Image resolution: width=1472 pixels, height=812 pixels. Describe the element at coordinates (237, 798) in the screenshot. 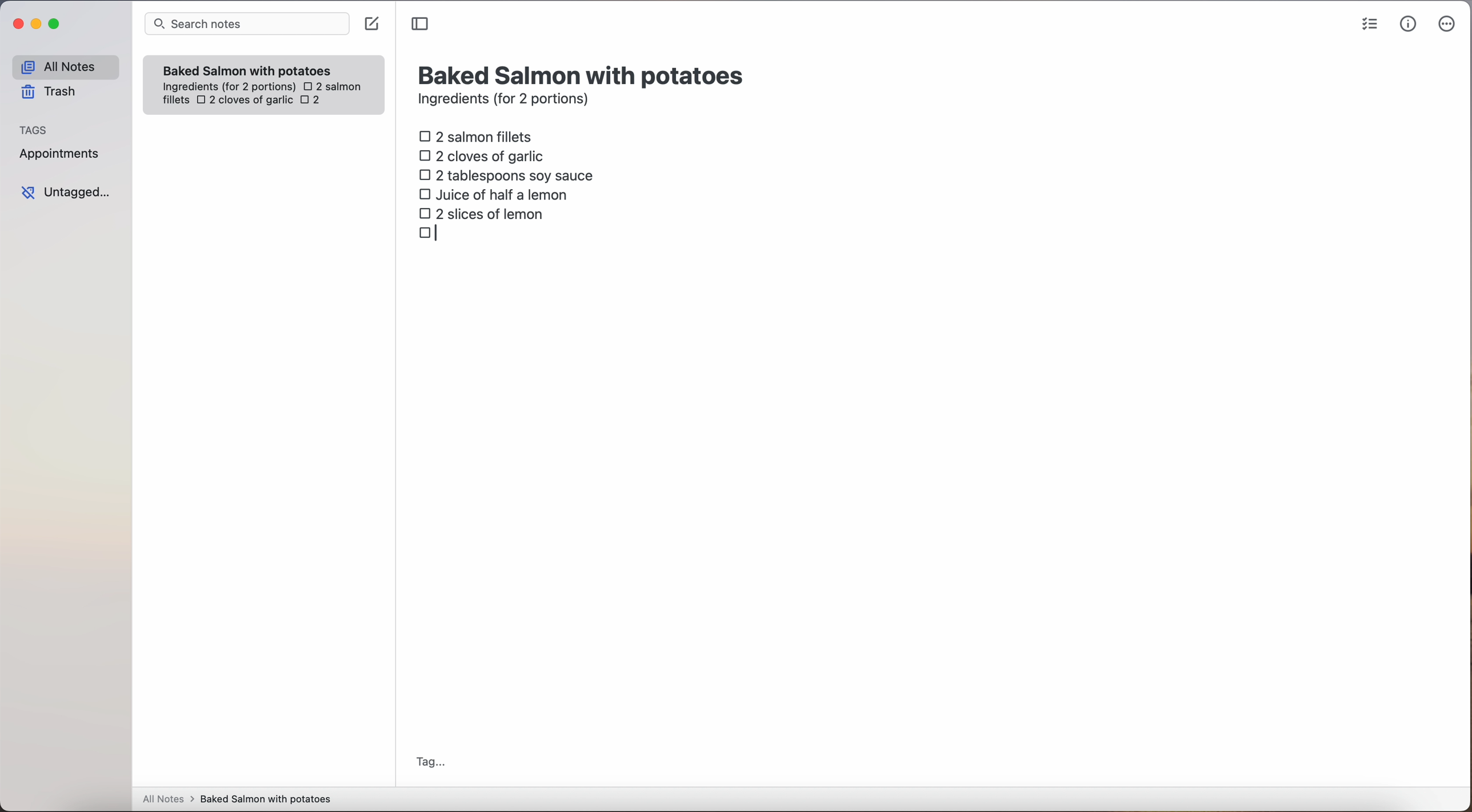

I see `all notes > baked Salmon with potatoes` at that location.